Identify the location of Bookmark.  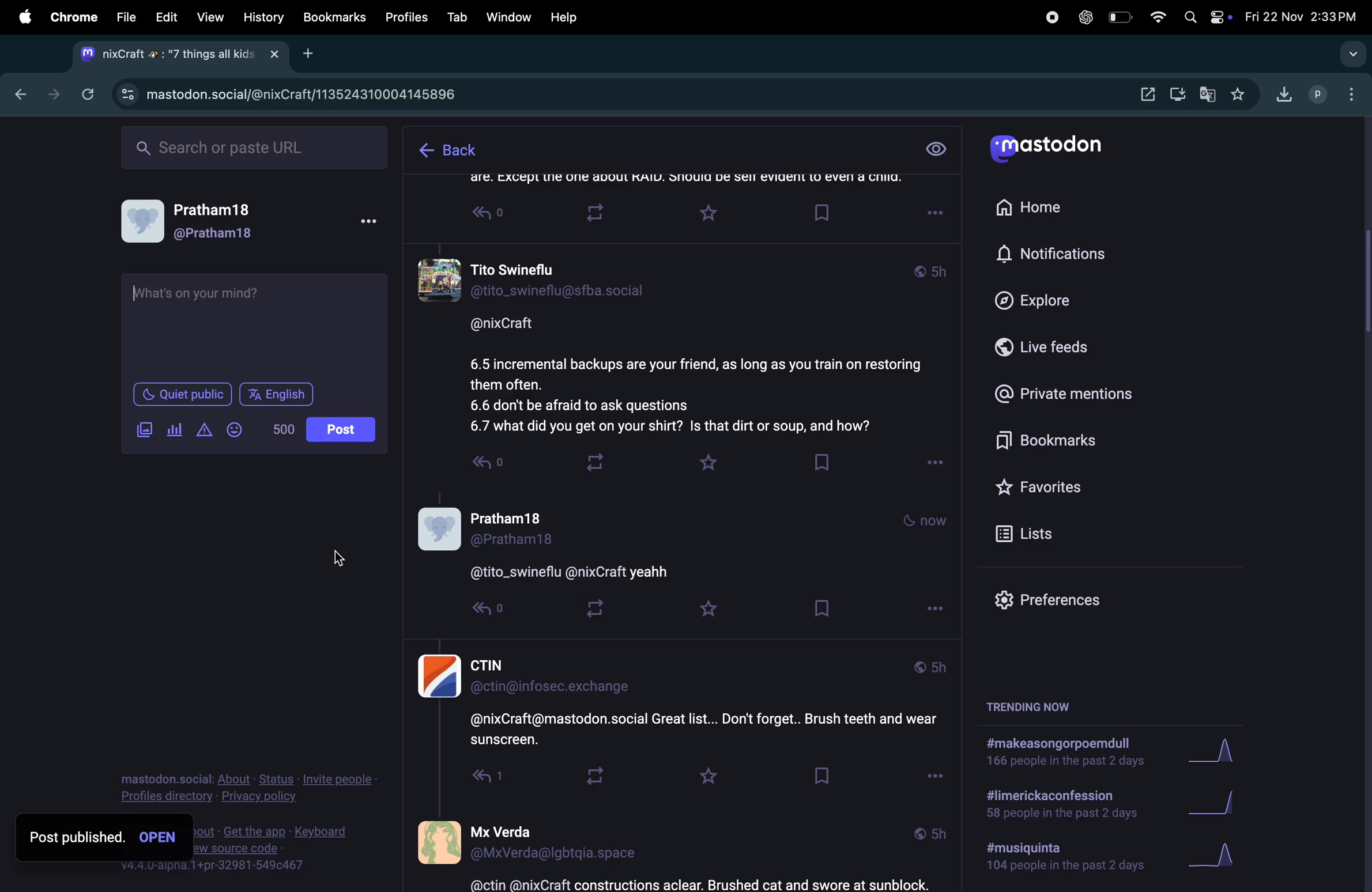
(821, 778).